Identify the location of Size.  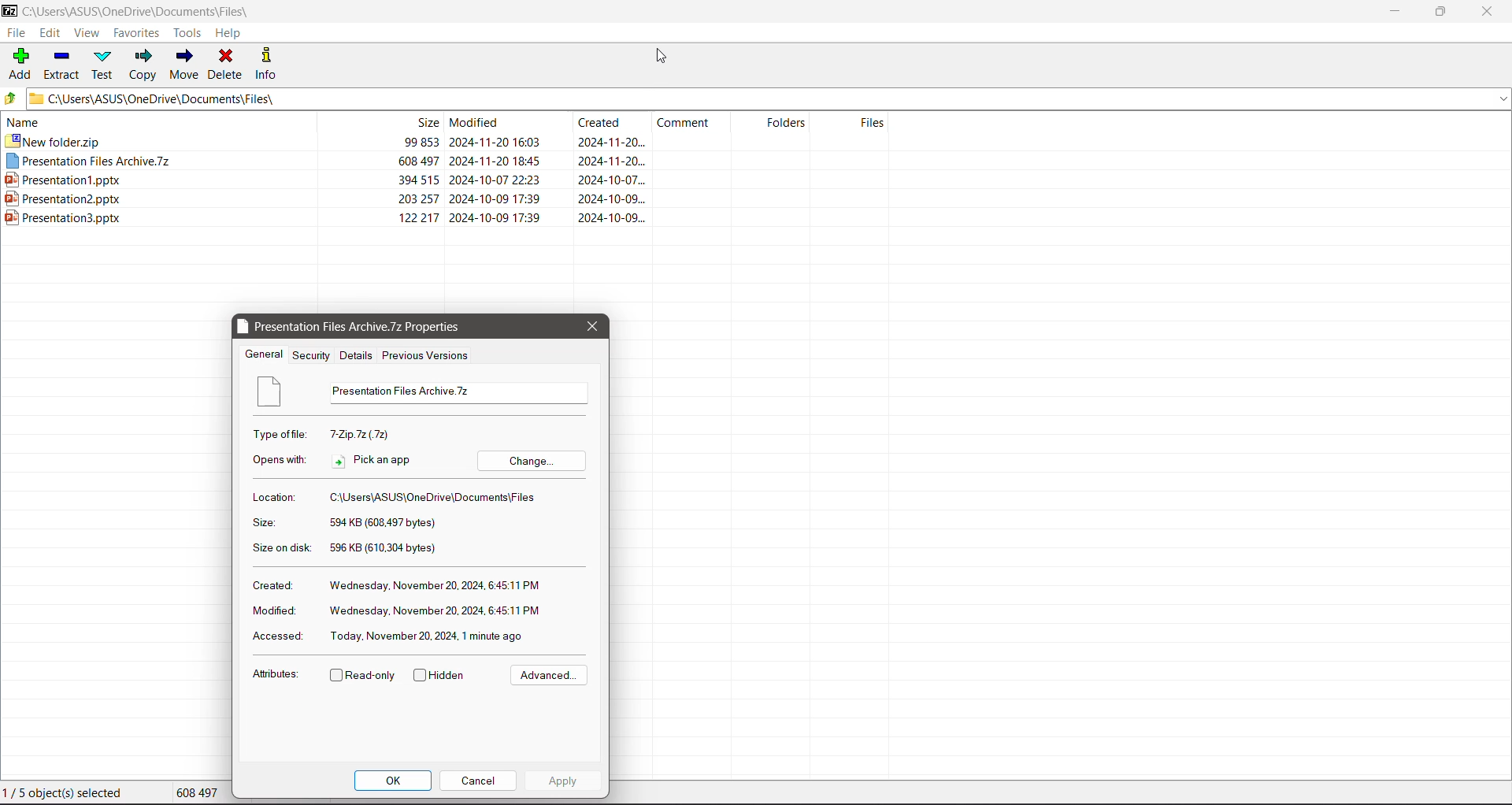
(270, 522).